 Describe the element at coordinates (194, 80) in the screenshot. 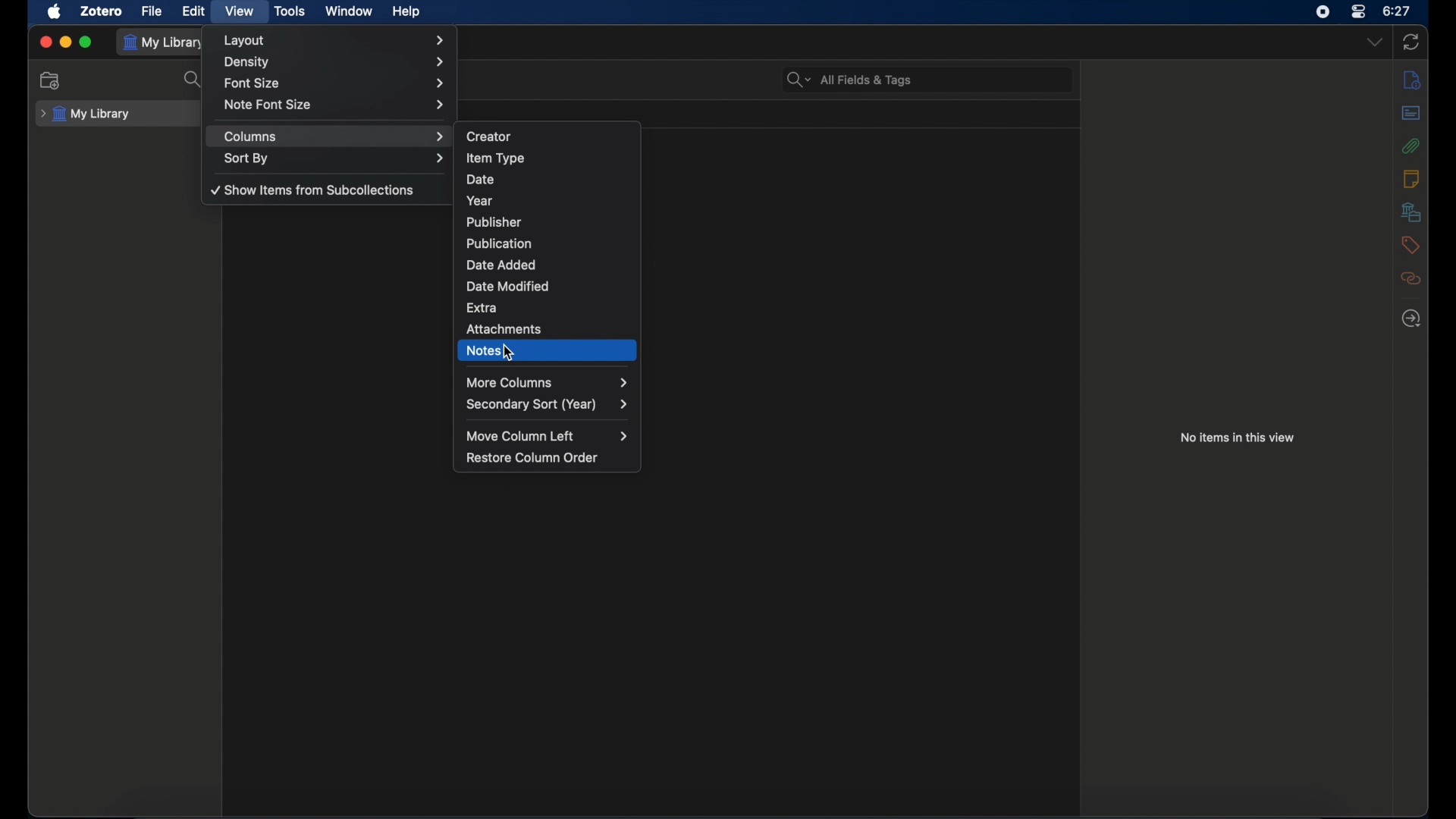

I see `search` at that location.